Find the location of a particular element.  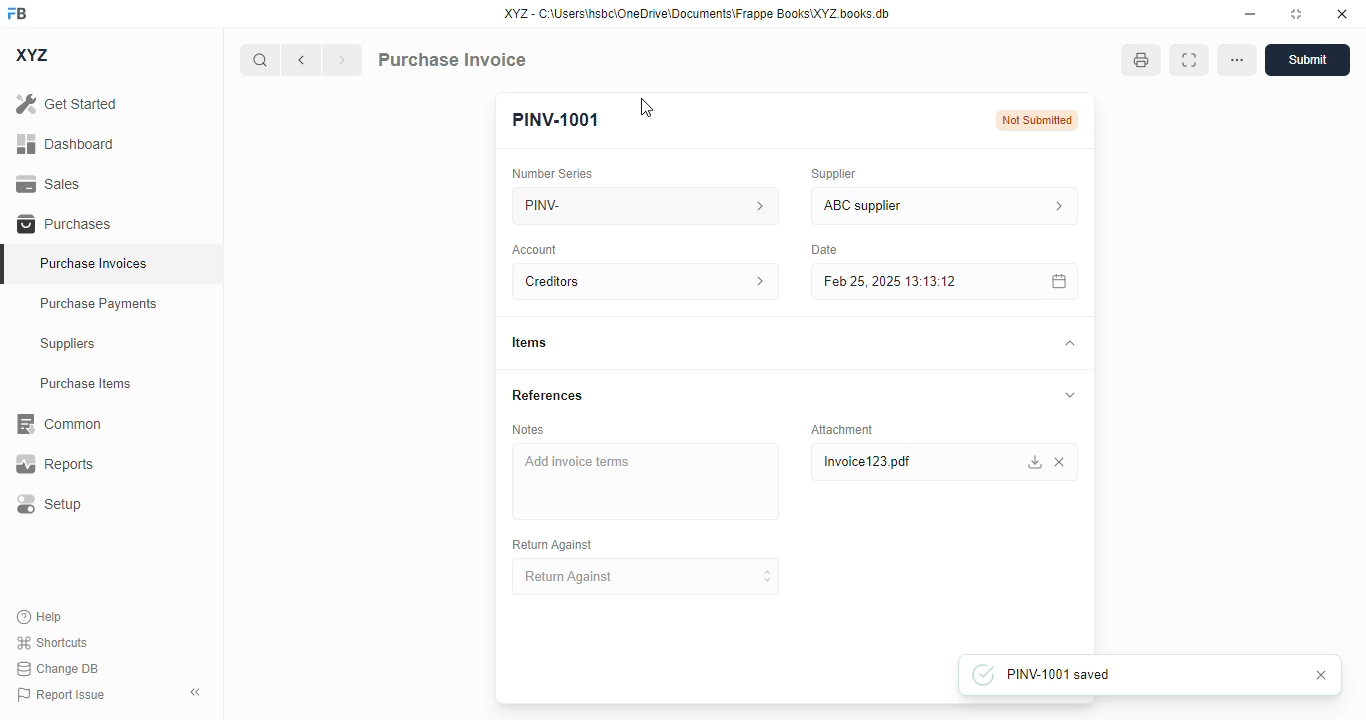

number series information is located at coordinates (754, 205).